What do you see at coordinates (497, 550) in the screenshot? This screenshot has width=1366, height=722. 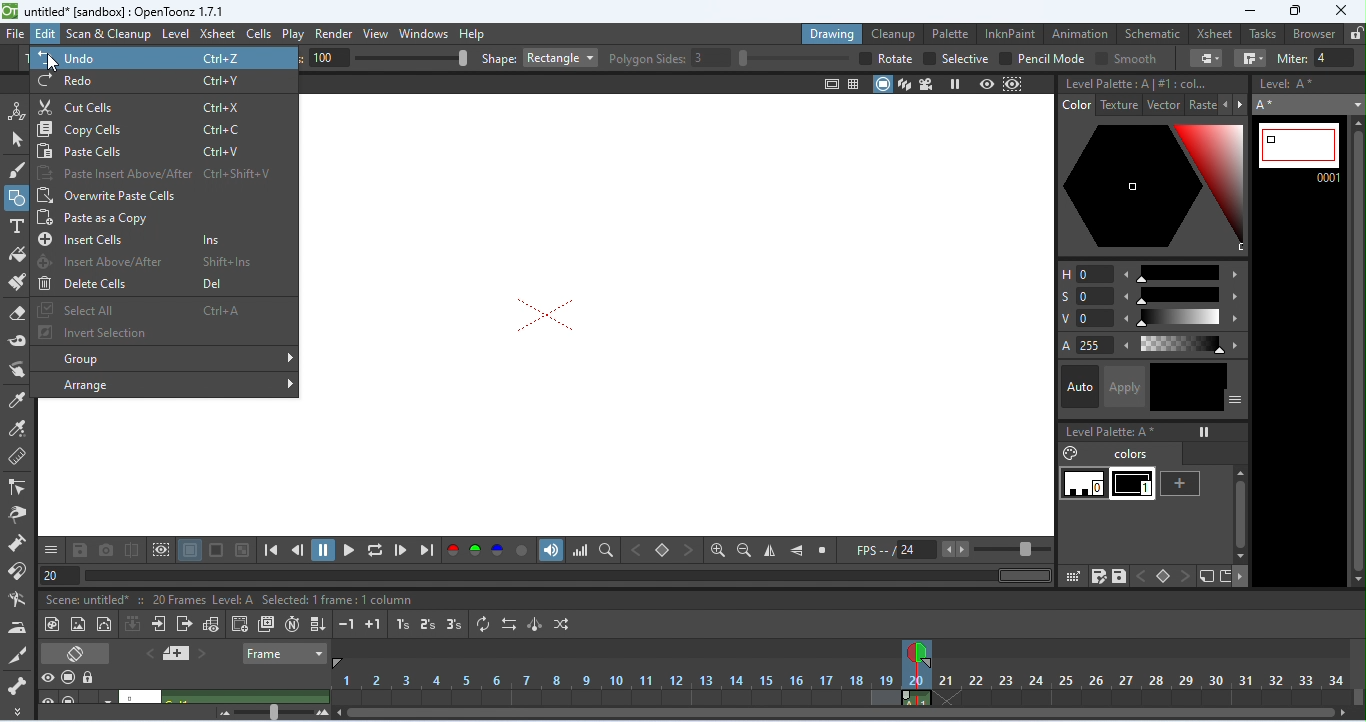 I see `blue channel` at bounding box center [497, 550].